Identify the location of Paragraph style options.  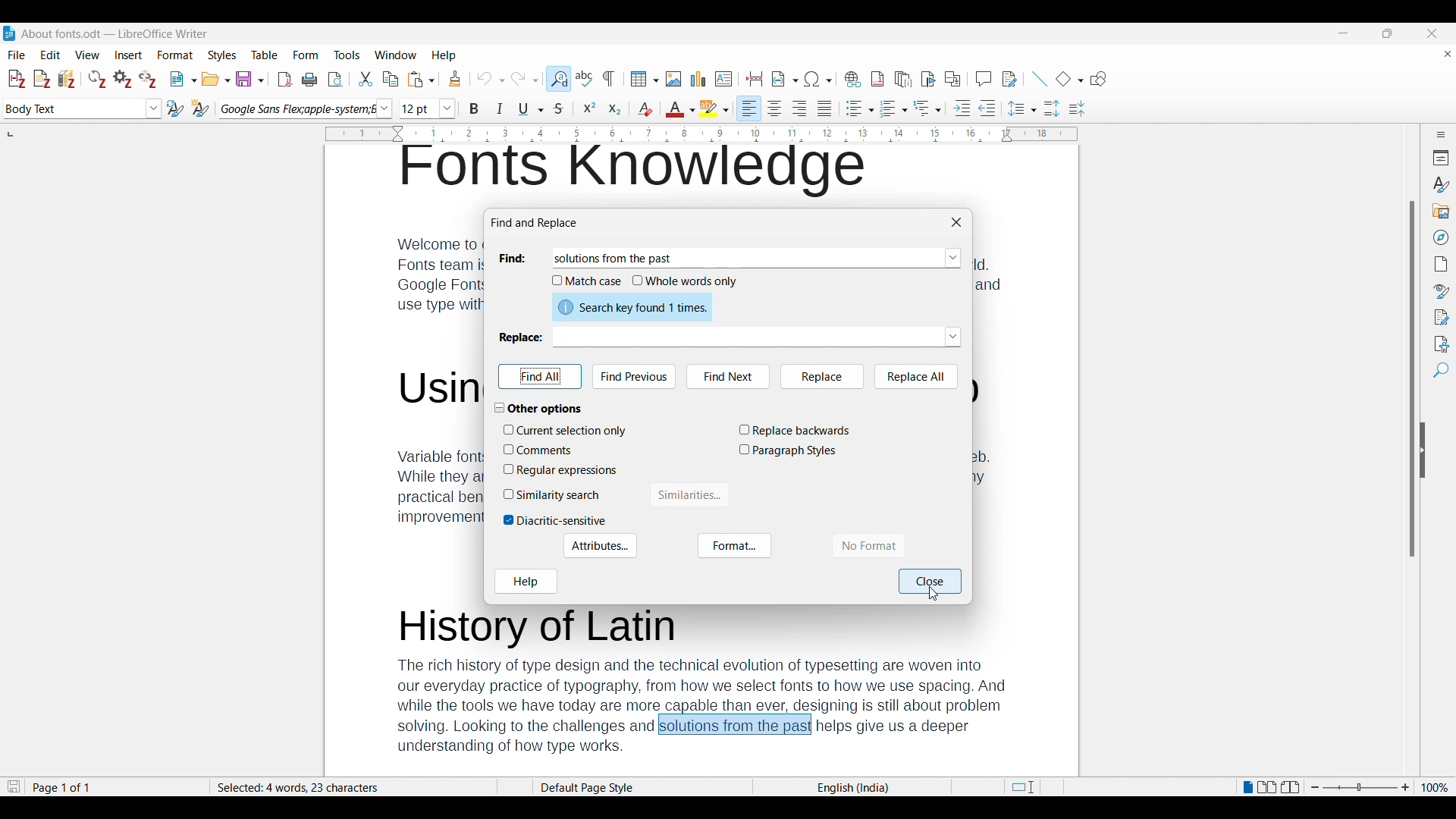
(153, 108).